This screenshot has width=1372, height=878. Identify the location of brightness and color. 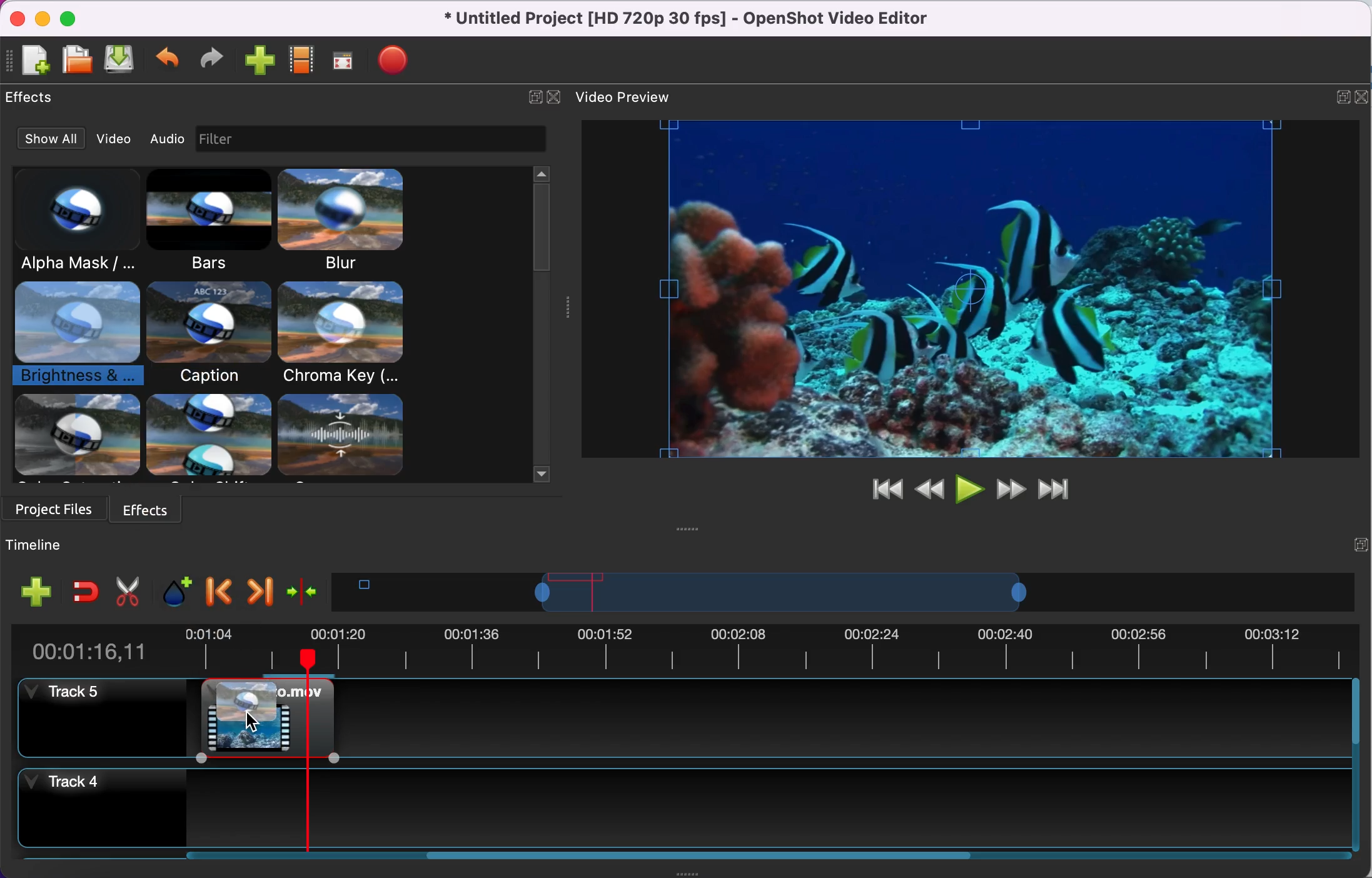
(261, 703).